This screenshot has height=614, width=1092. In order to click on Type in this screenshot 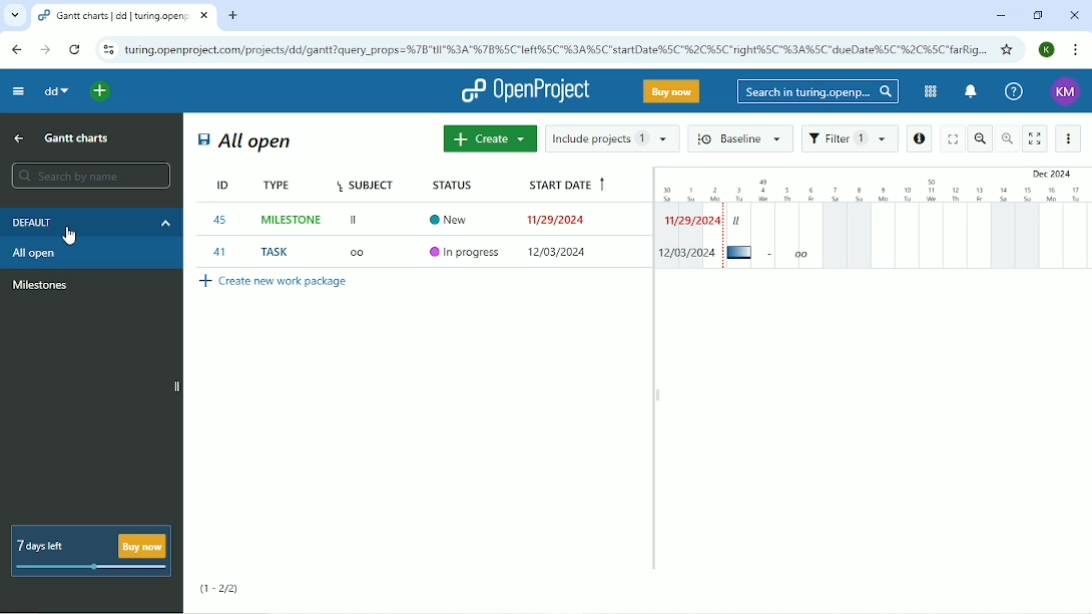, I will do `click(289, 219)`.